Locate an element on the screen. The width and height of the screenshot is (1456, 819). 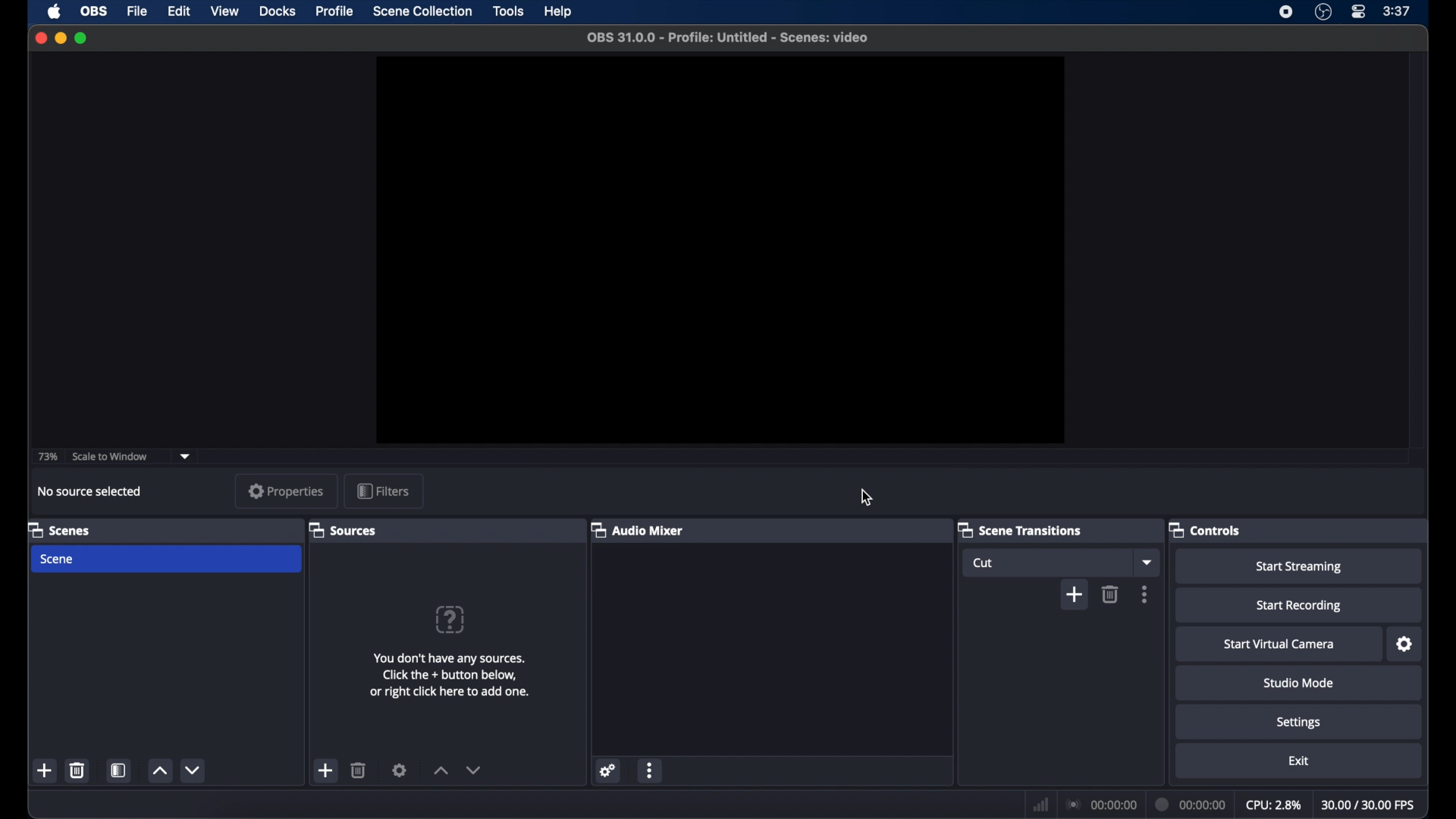
increment is located at coordinates (159, 771).